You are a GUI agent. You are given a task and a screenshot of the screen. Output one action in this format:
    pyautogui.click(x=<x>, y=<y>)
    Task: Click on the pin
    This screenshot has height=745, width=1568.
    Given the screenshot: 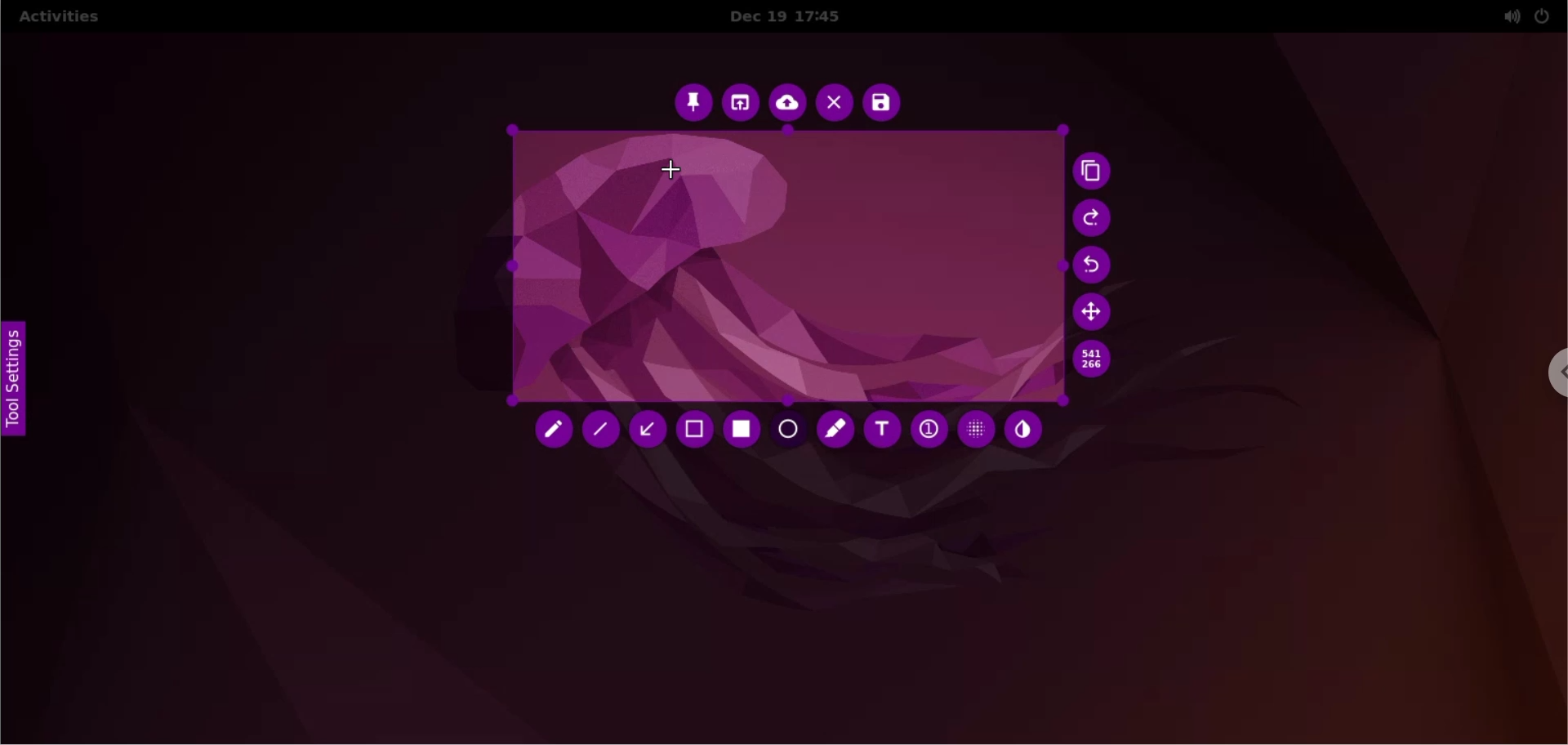 What is the action you would take?
    pyautogui.click(x=693, y=101)
    